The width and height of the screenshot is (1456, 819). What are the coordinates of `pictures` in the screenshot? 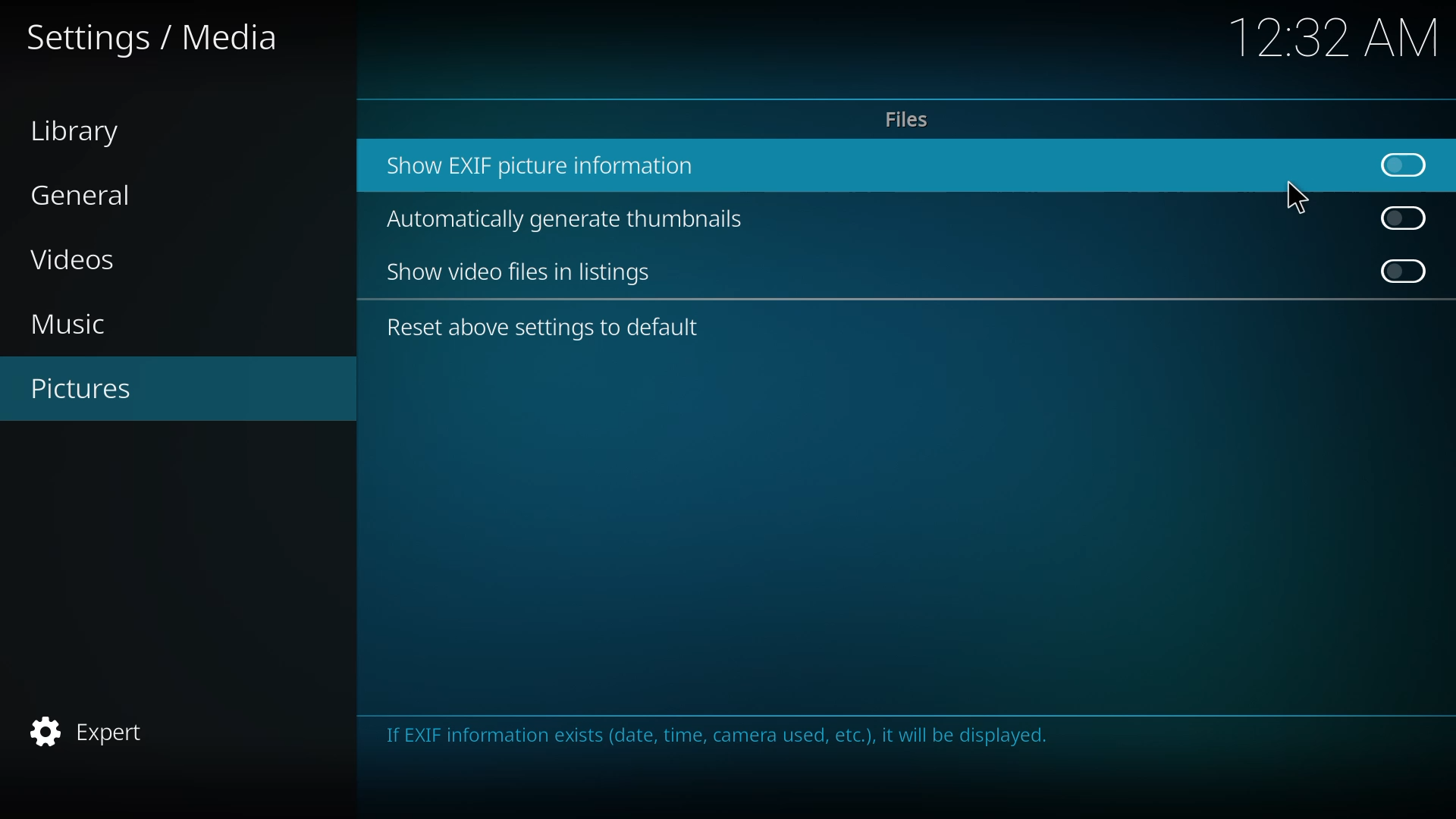 It's located at (93, 387).